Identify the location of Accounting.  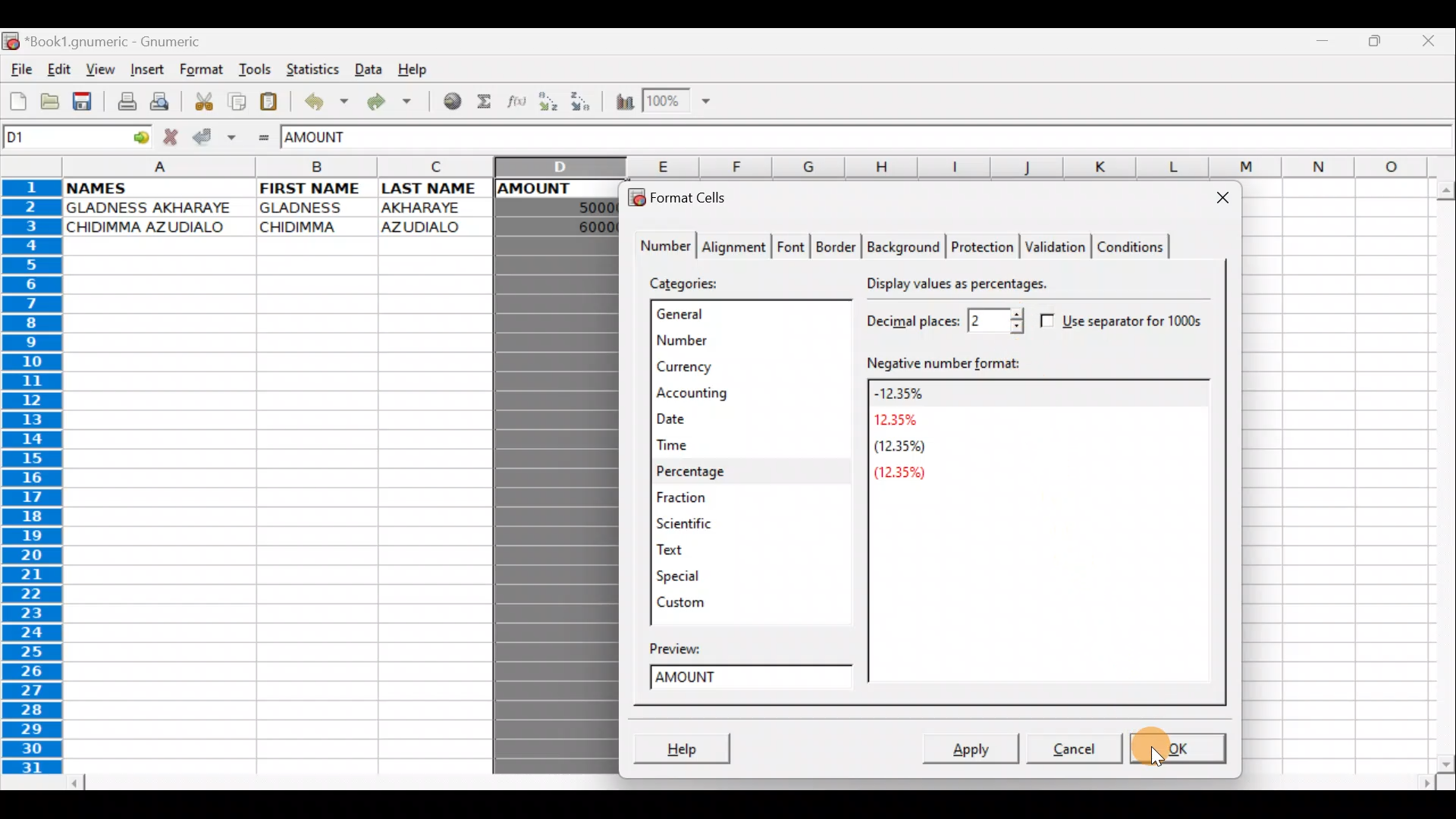
(723, 393).